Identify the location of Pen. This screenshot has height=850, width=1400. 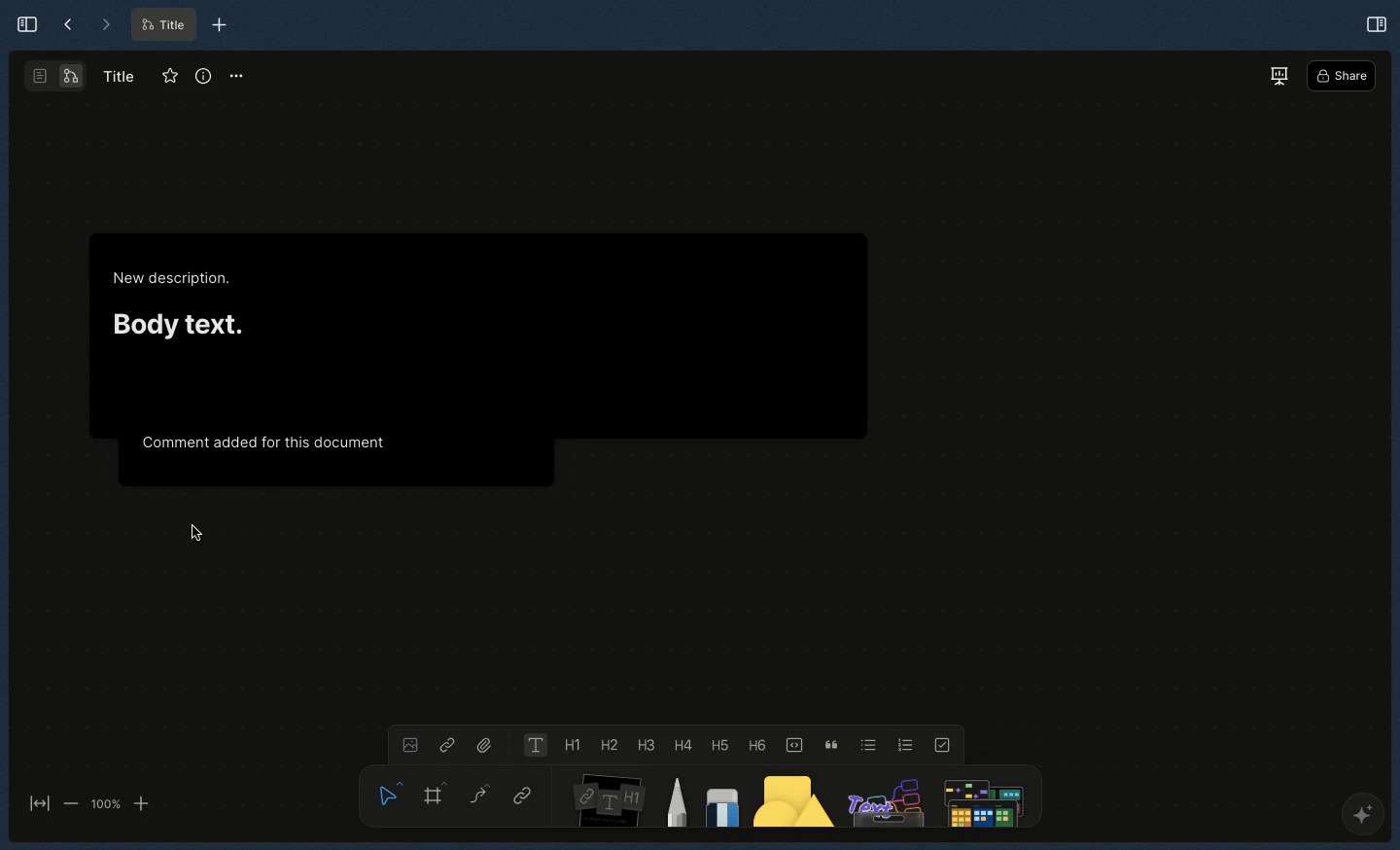
(676, 799).